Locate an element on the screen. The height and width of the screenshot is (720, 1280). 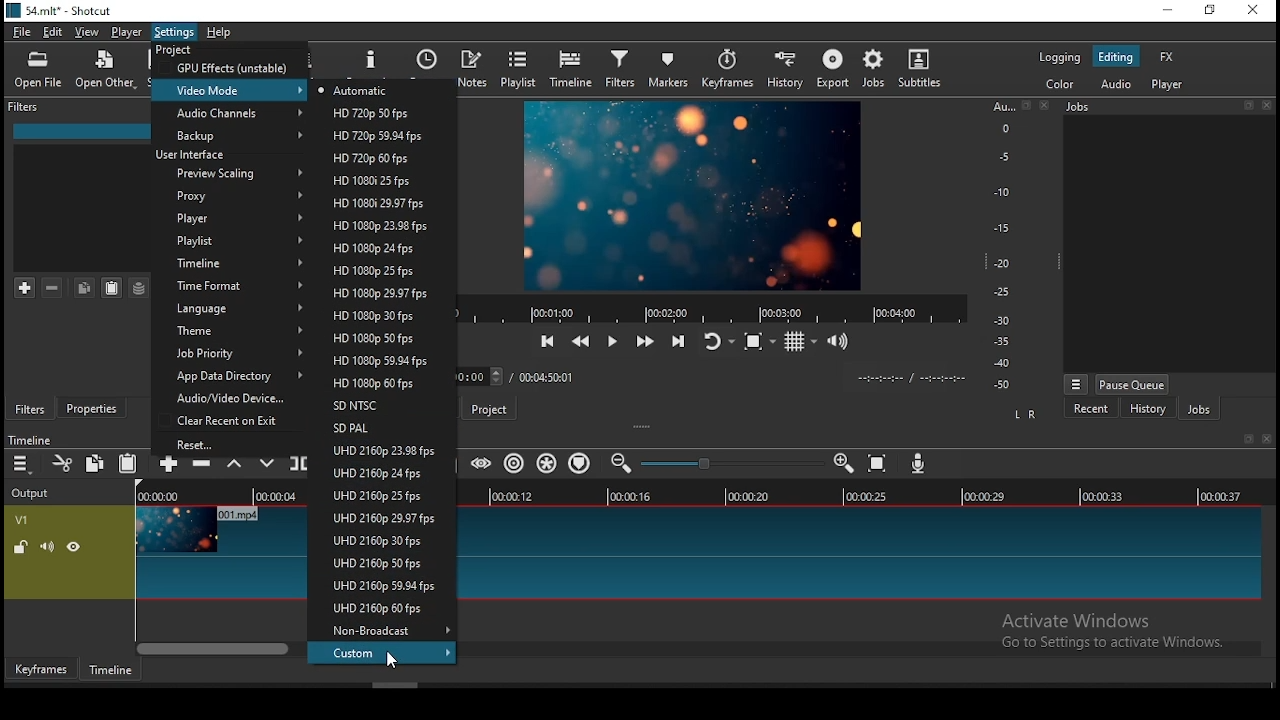
split at playhead is located at coordinates (299, 465).